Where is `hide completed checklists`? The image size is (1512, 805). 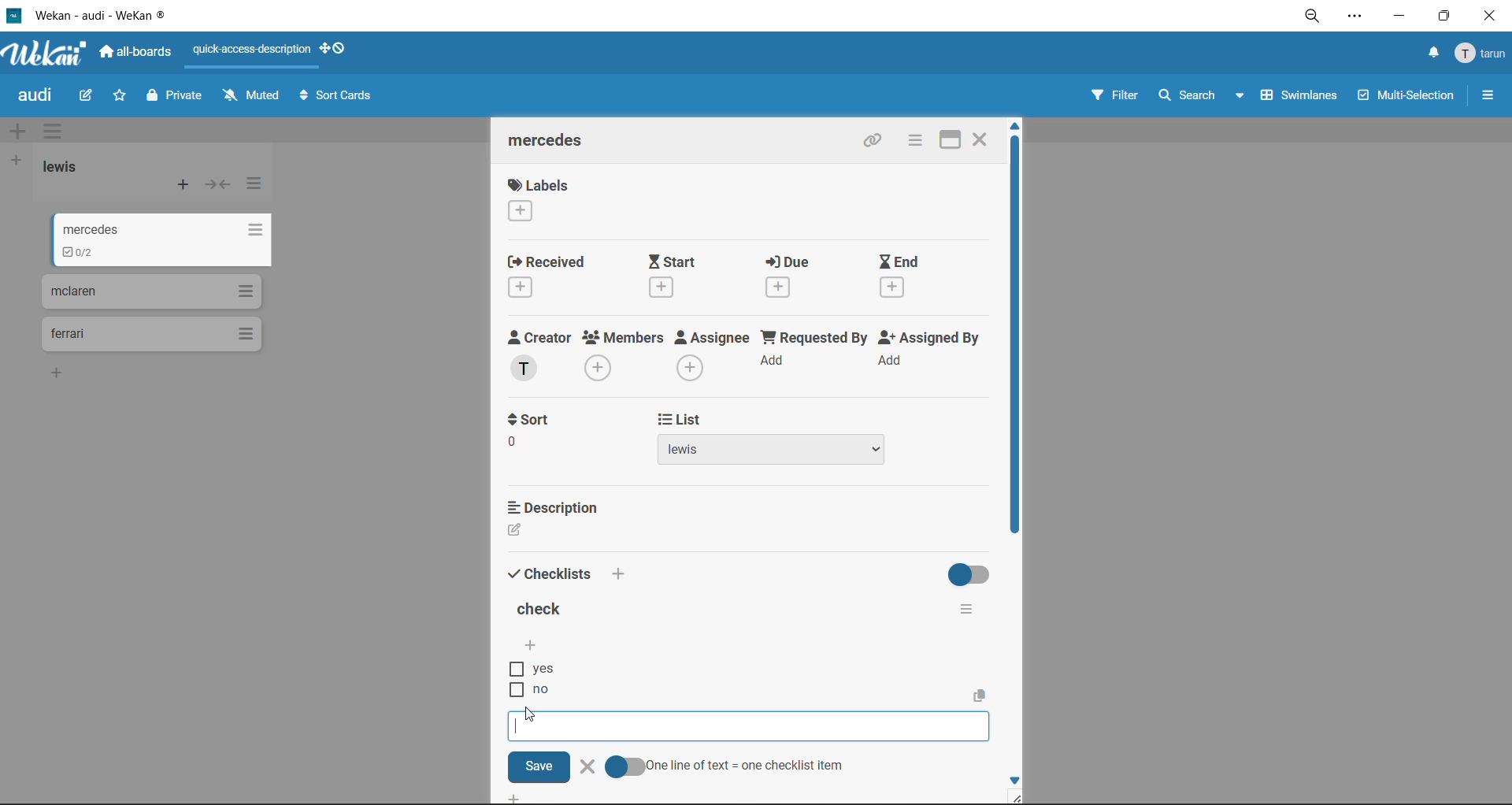 hide completed checklists is located at coordinates (973, 573).